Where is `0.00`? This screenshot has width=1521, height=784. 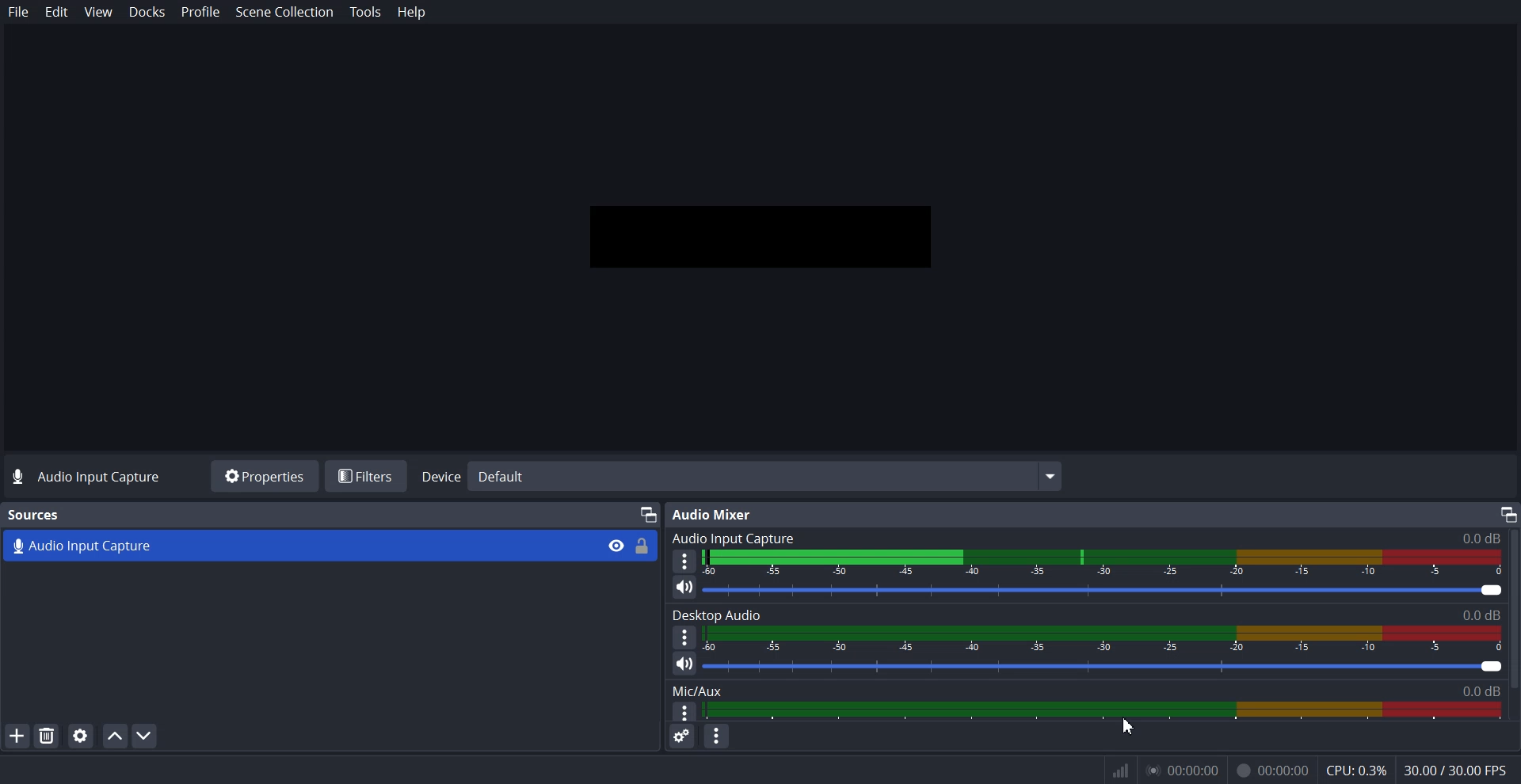
0.00 is located at coordinates (1188, 774).